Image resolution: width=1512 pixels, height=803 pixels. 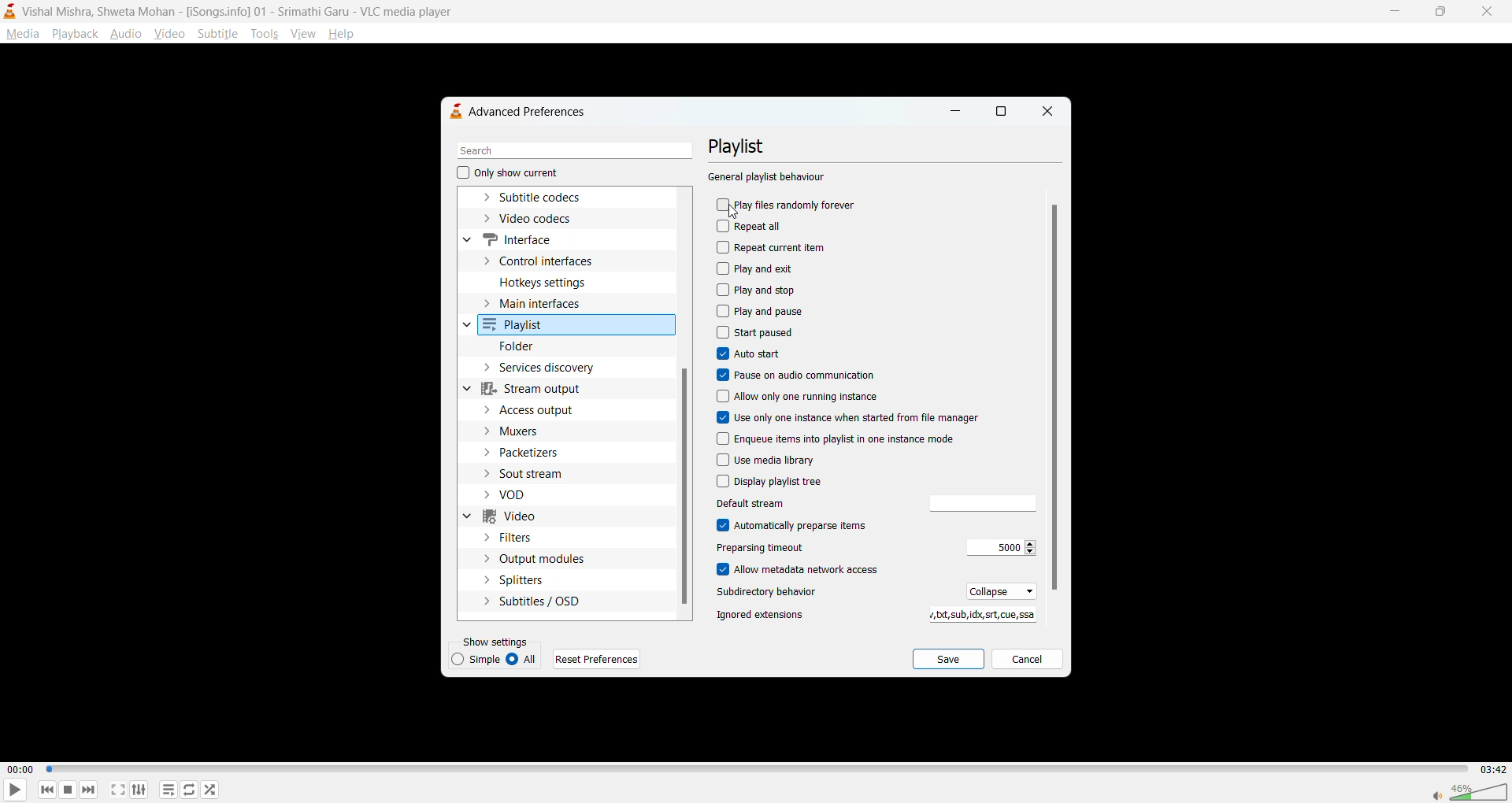 I want to click on show settings, so click(x=498, y=641).